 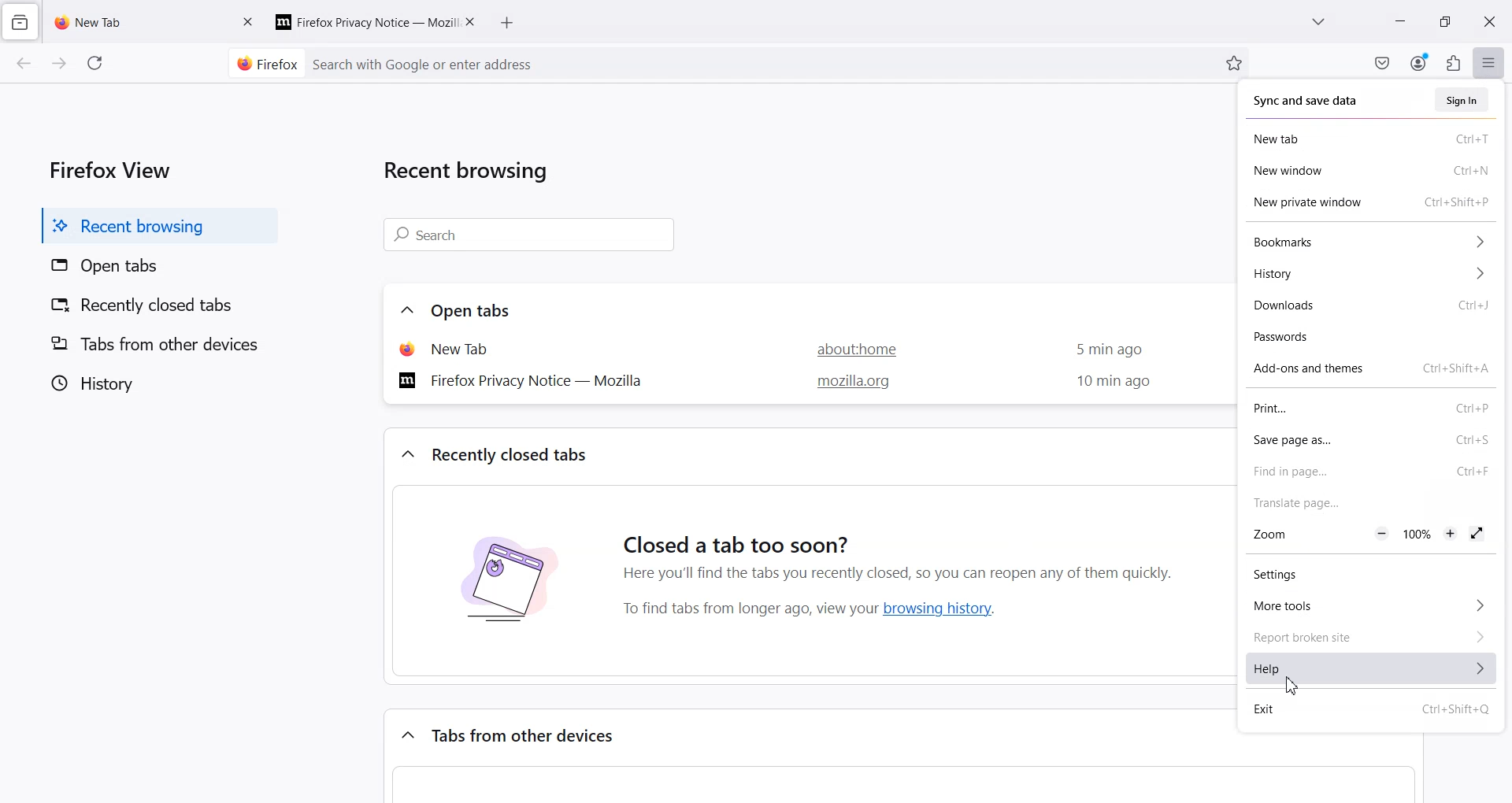 What do you see at coordinates (154, 343) in the screenshot?
I see `Tabs from other devices` at bounding box center [154, 343].